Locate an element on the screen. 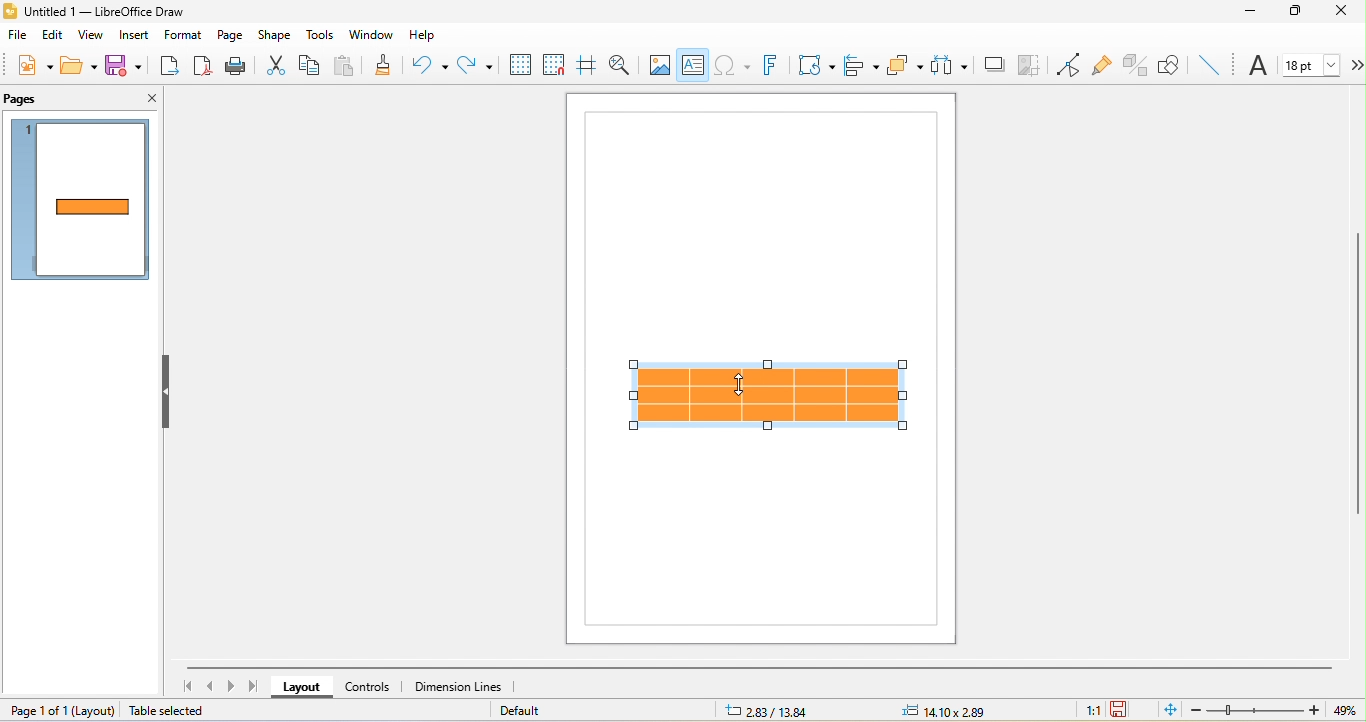  pages is located at coordinates (24, 99).